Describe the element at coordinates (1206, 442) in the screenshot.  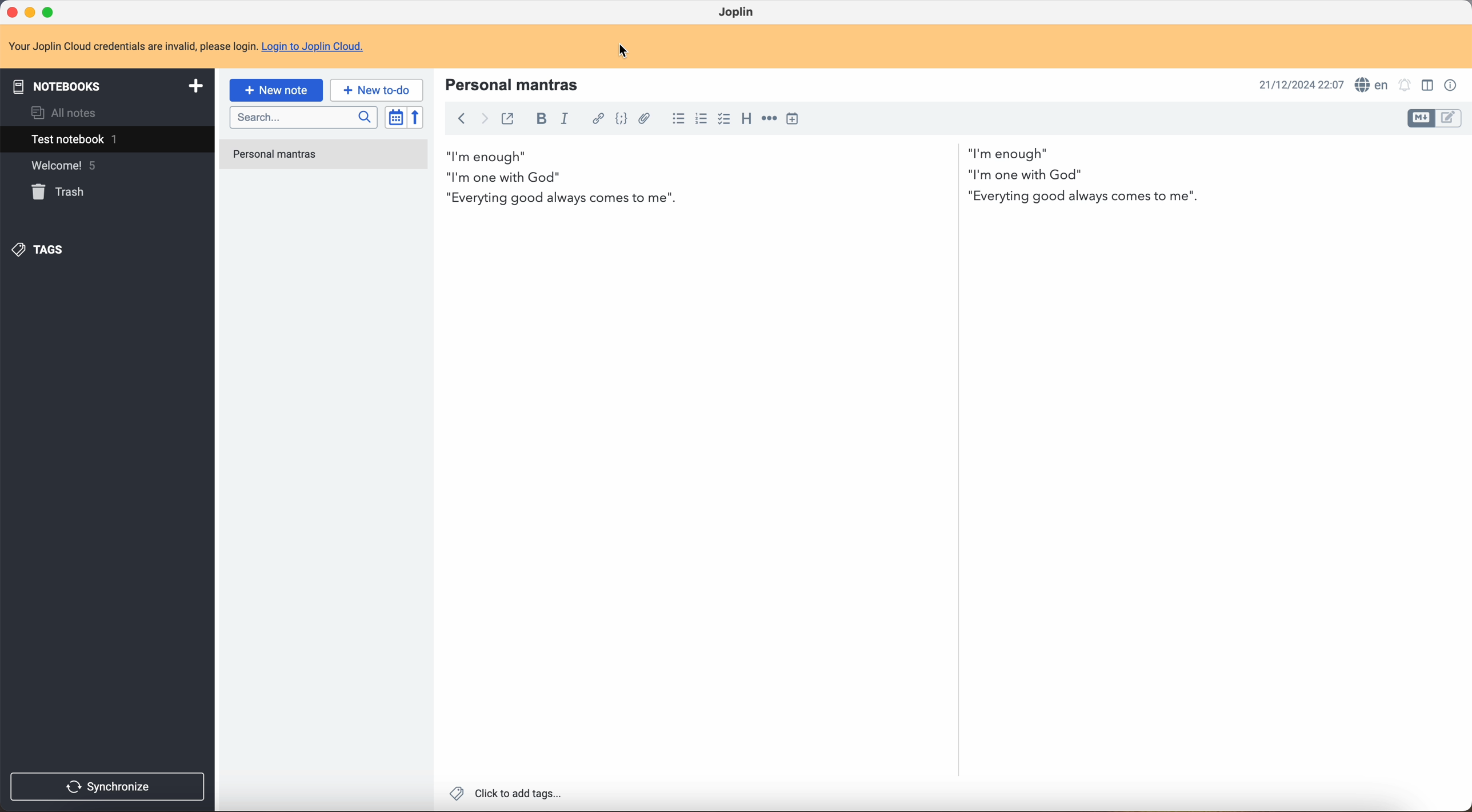
I see `body text` at that location.